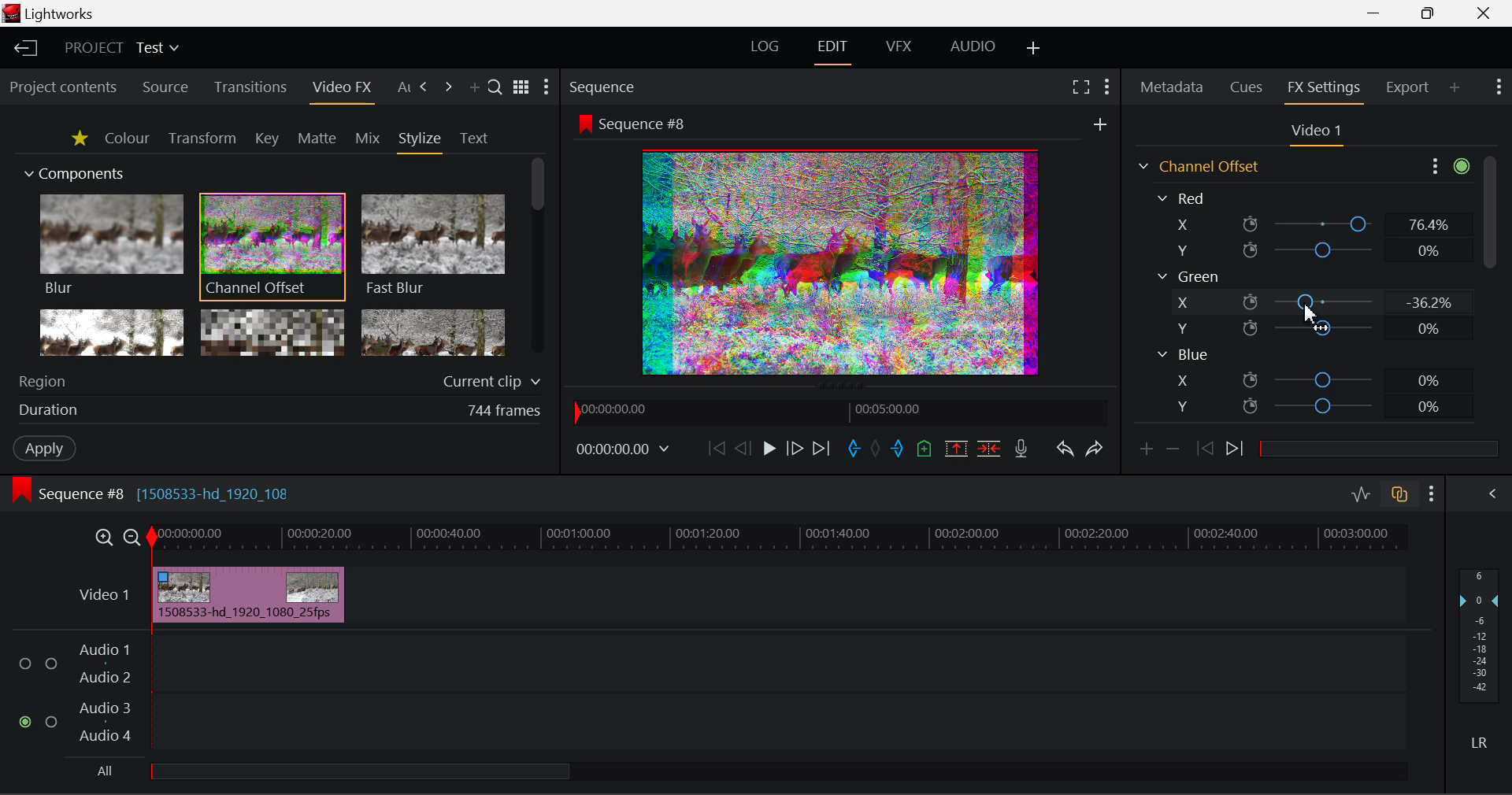  What do you see at coordinates (717, 447) in the screenshot?
I see `To Start` at bounding box center [717, 447].